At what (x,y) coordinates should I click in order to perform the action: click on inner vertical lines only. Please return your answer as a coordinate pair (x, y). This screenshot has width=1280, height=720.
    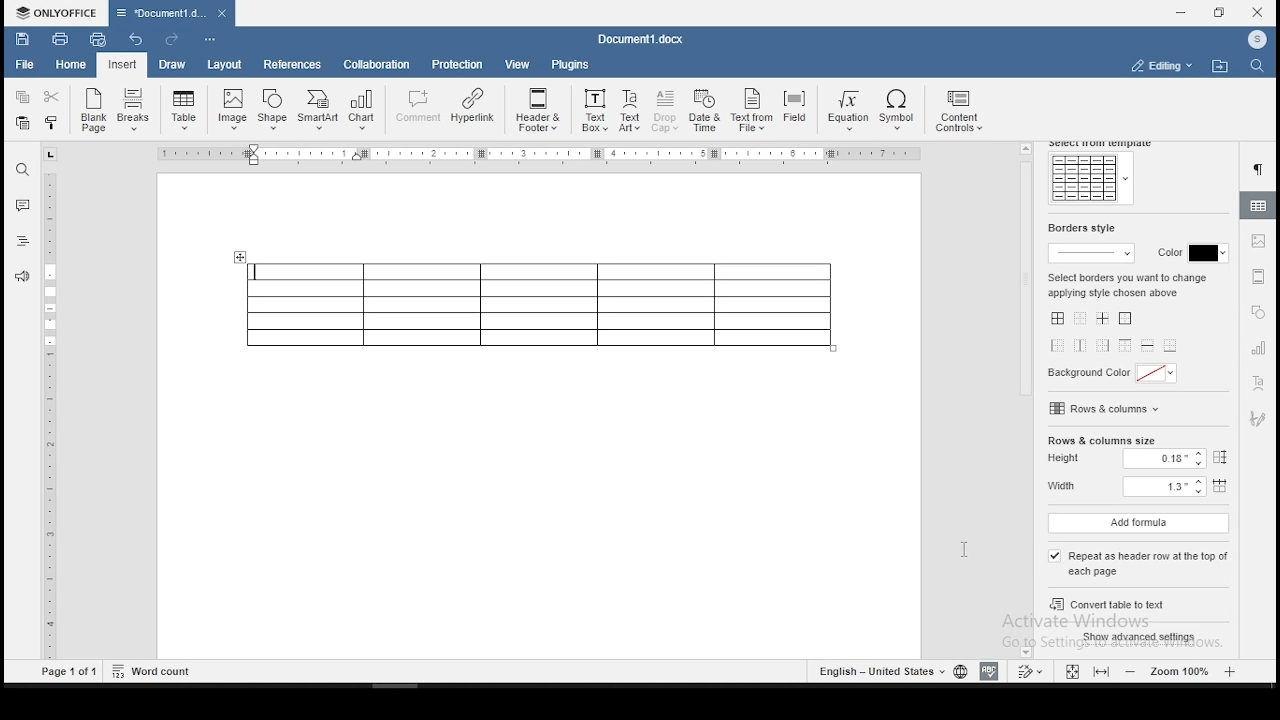
    Looking at the image, I should click on (1081, 346).